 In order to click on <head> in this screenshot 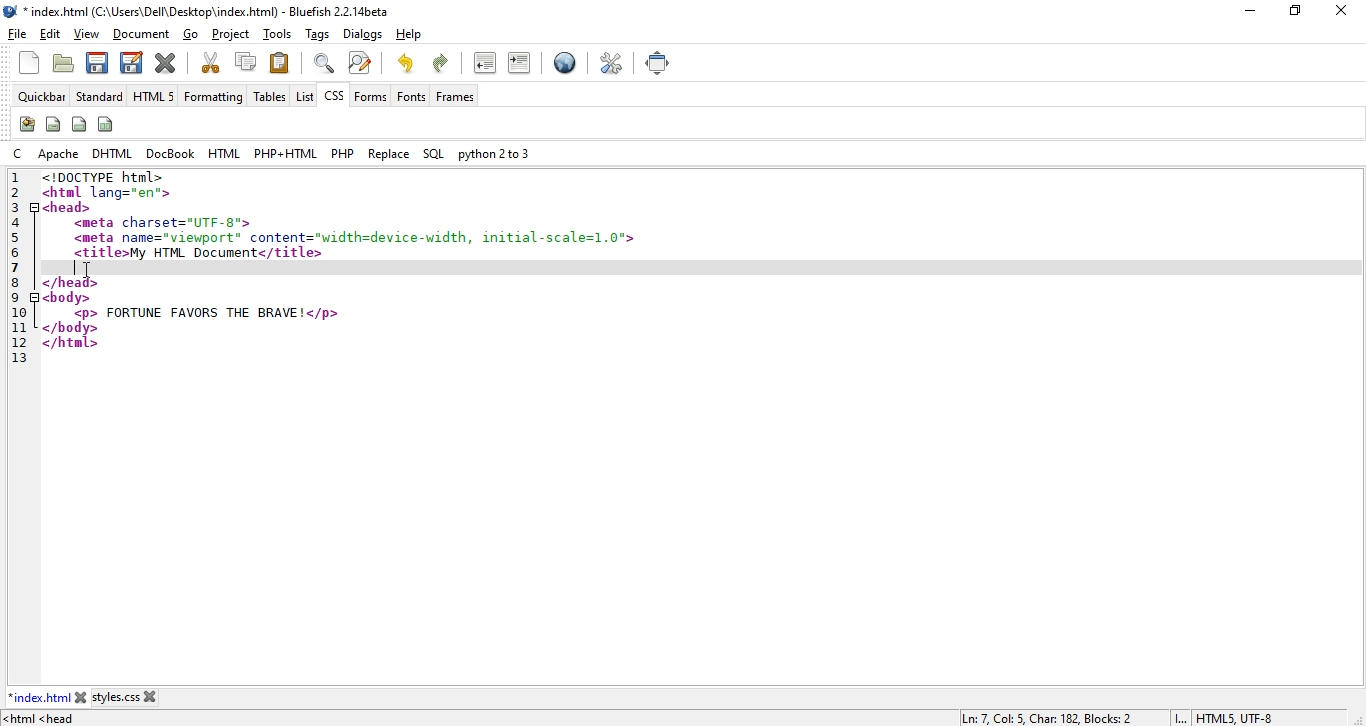, I will do `click(68, 207)`.